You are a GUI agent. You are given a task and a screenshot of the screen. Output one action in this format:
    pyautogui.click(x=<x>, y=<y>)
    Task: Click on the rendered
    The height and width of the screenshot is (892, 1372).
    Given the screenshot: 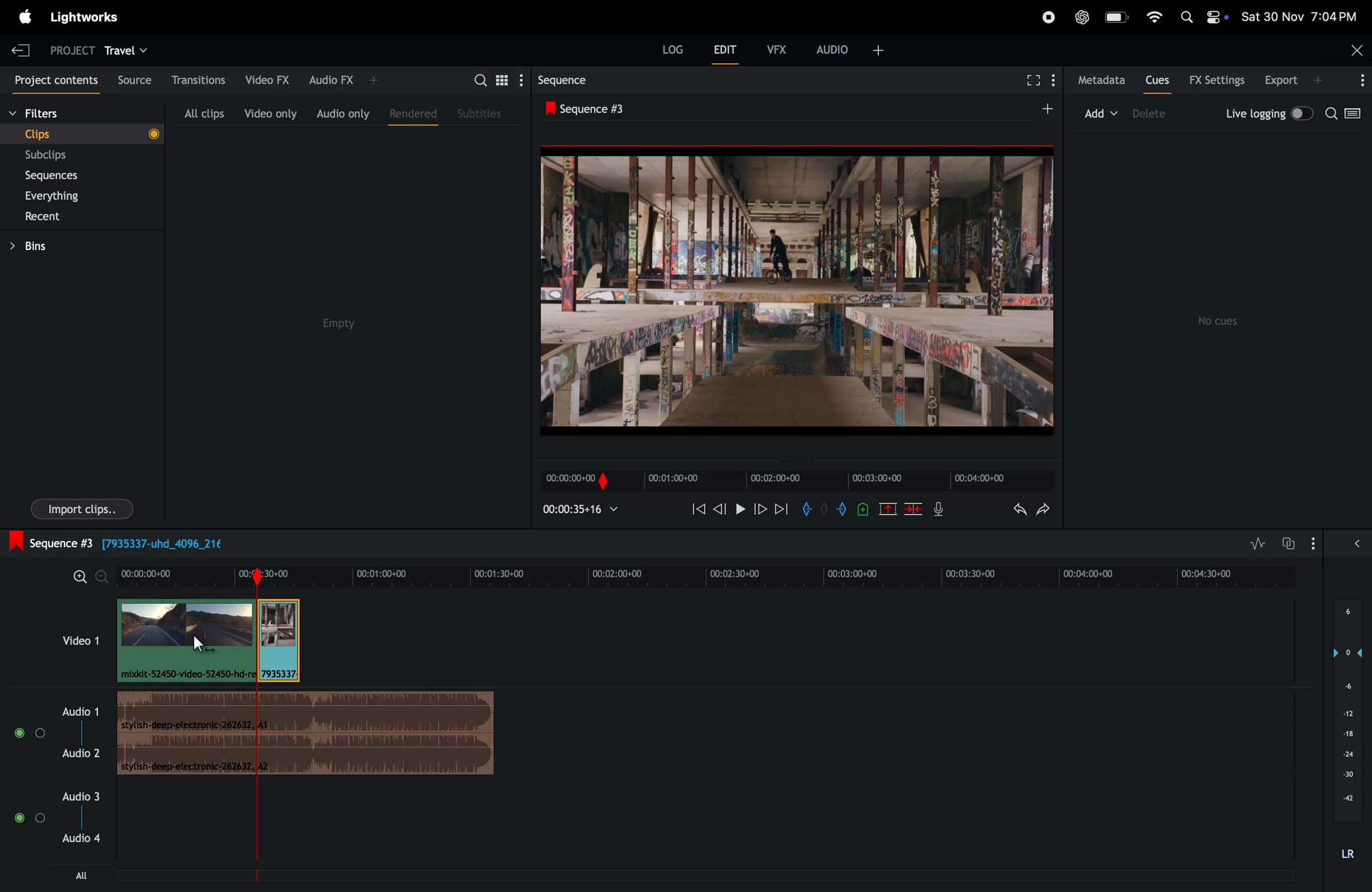 What is the action you would take?
    pyautogui.click(x=409, y=112)
    